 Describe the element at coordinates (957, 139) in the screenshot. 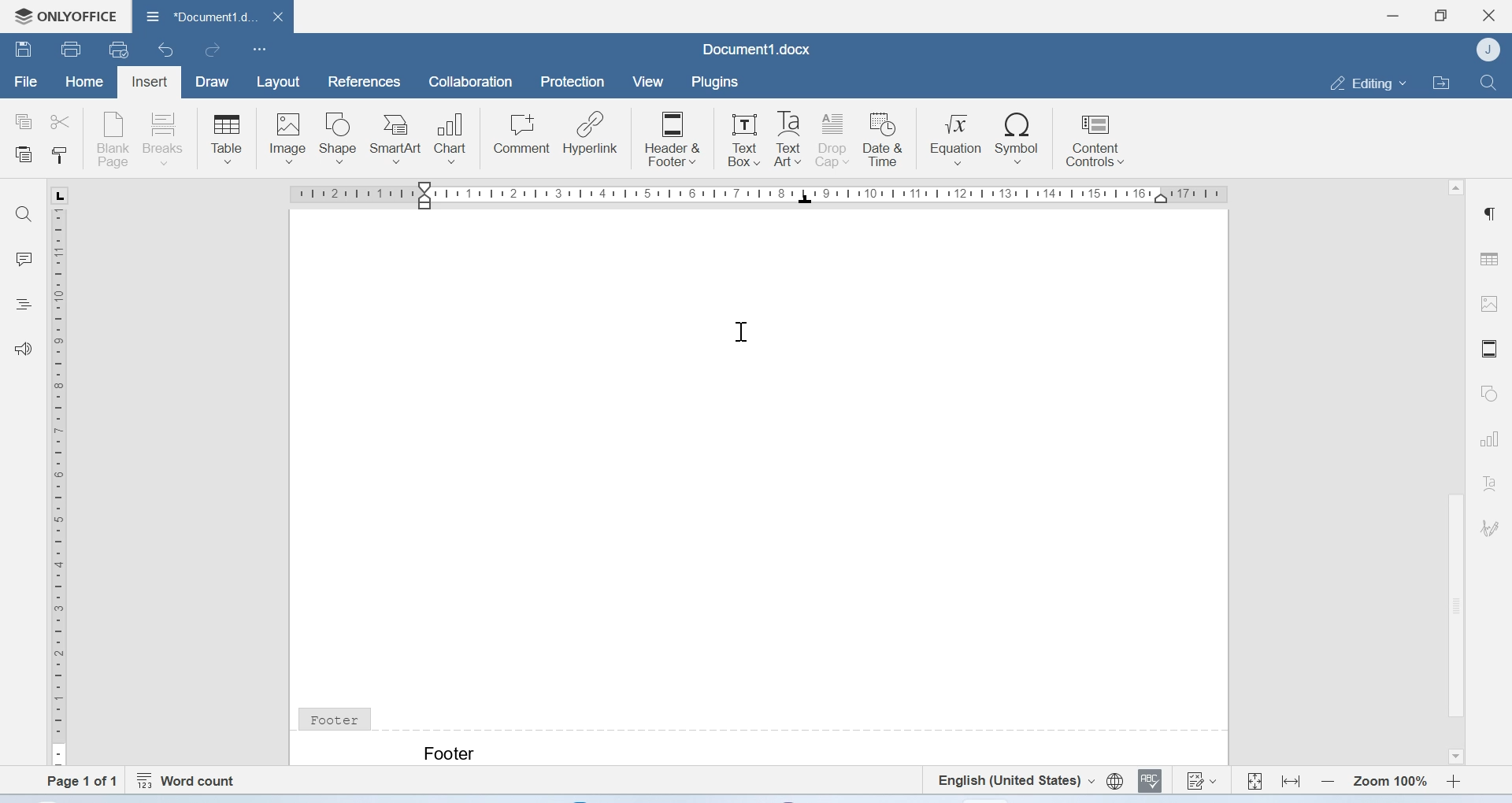

I see `Equation` at that location.